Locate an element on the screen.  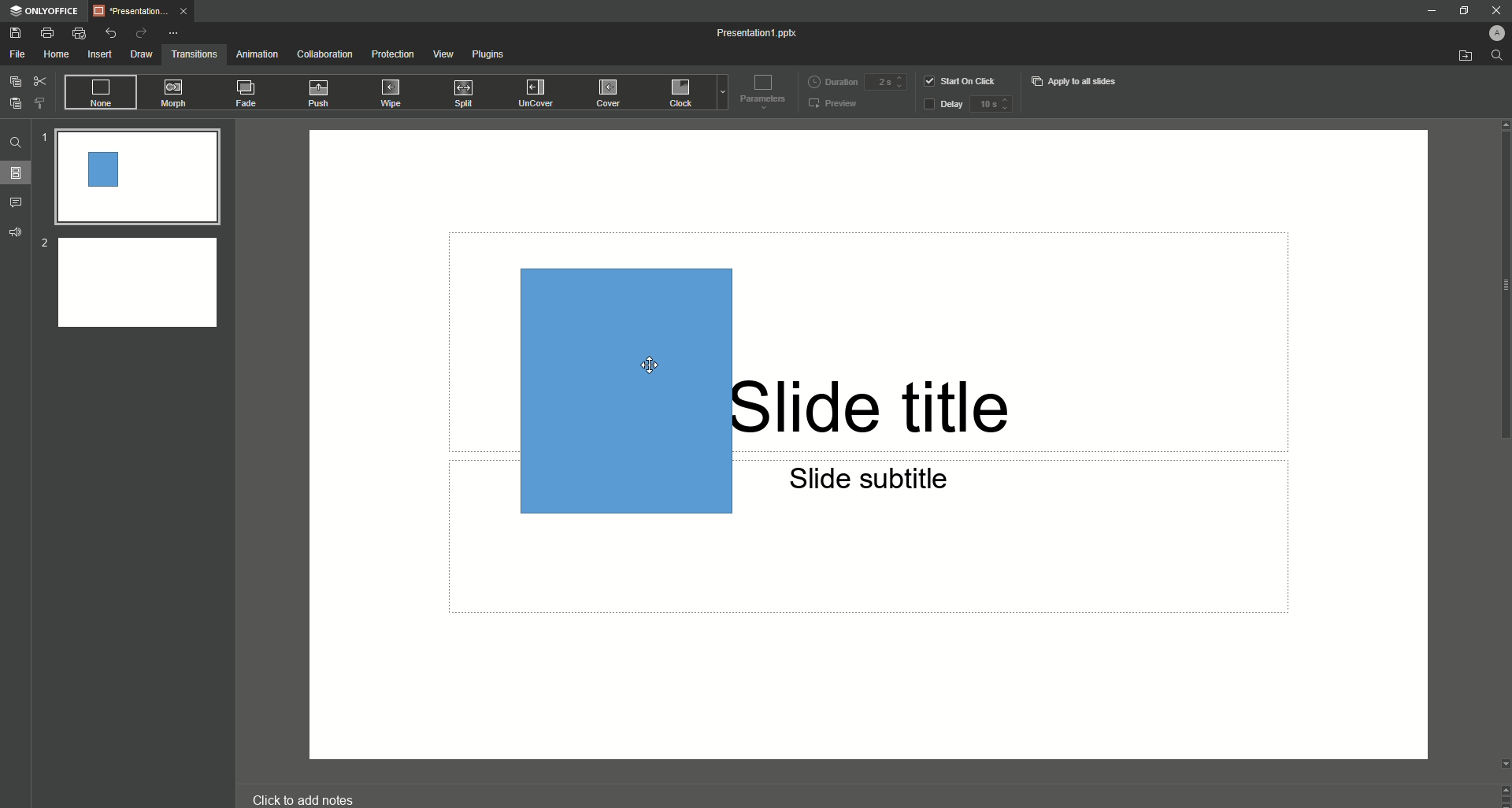
Animation is located at coordinates (258, 54).